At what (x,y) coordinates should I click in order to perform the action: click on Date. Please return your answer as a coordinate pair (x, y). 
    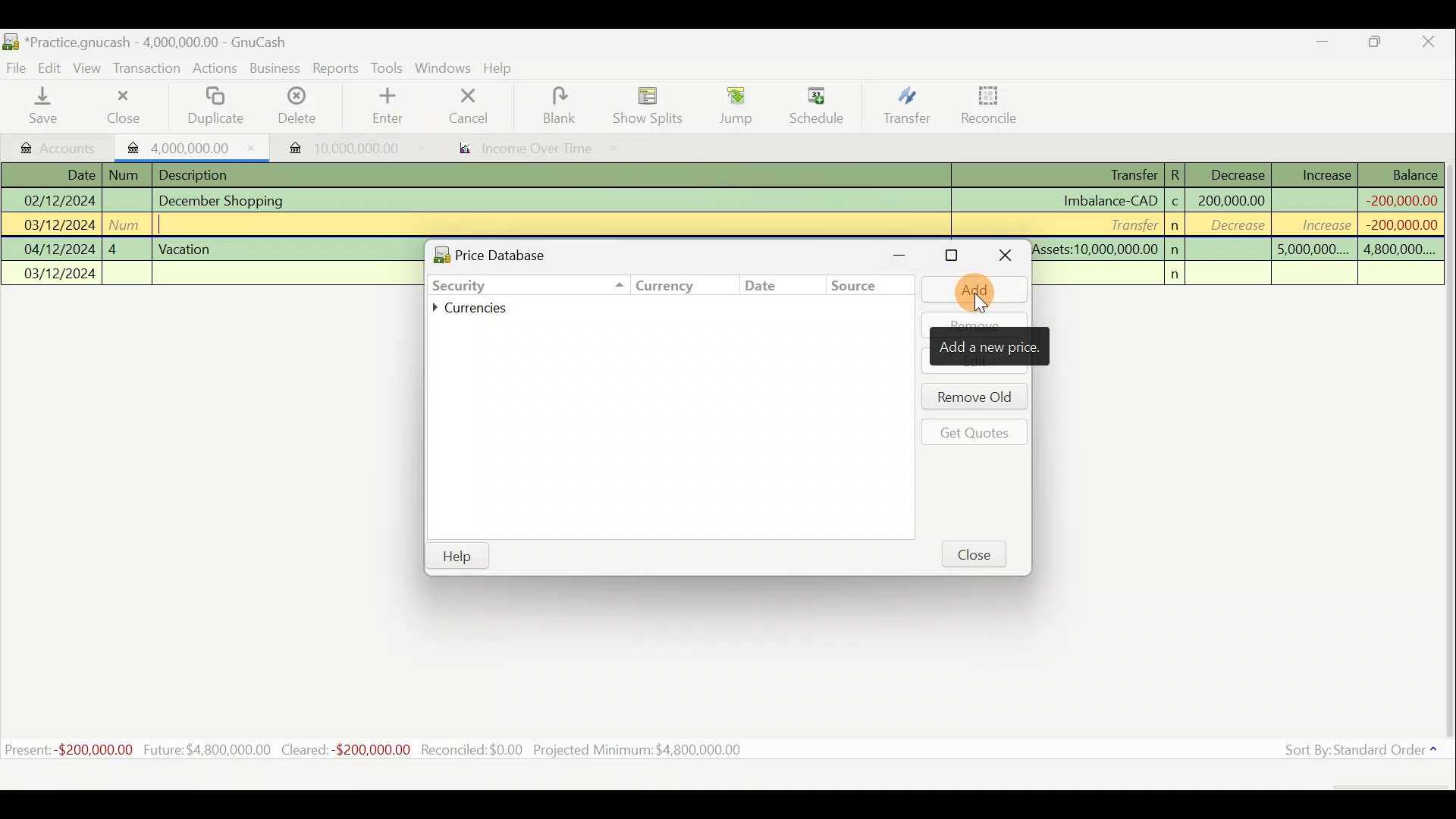
    Looking at the image, I should click on (783, 284).